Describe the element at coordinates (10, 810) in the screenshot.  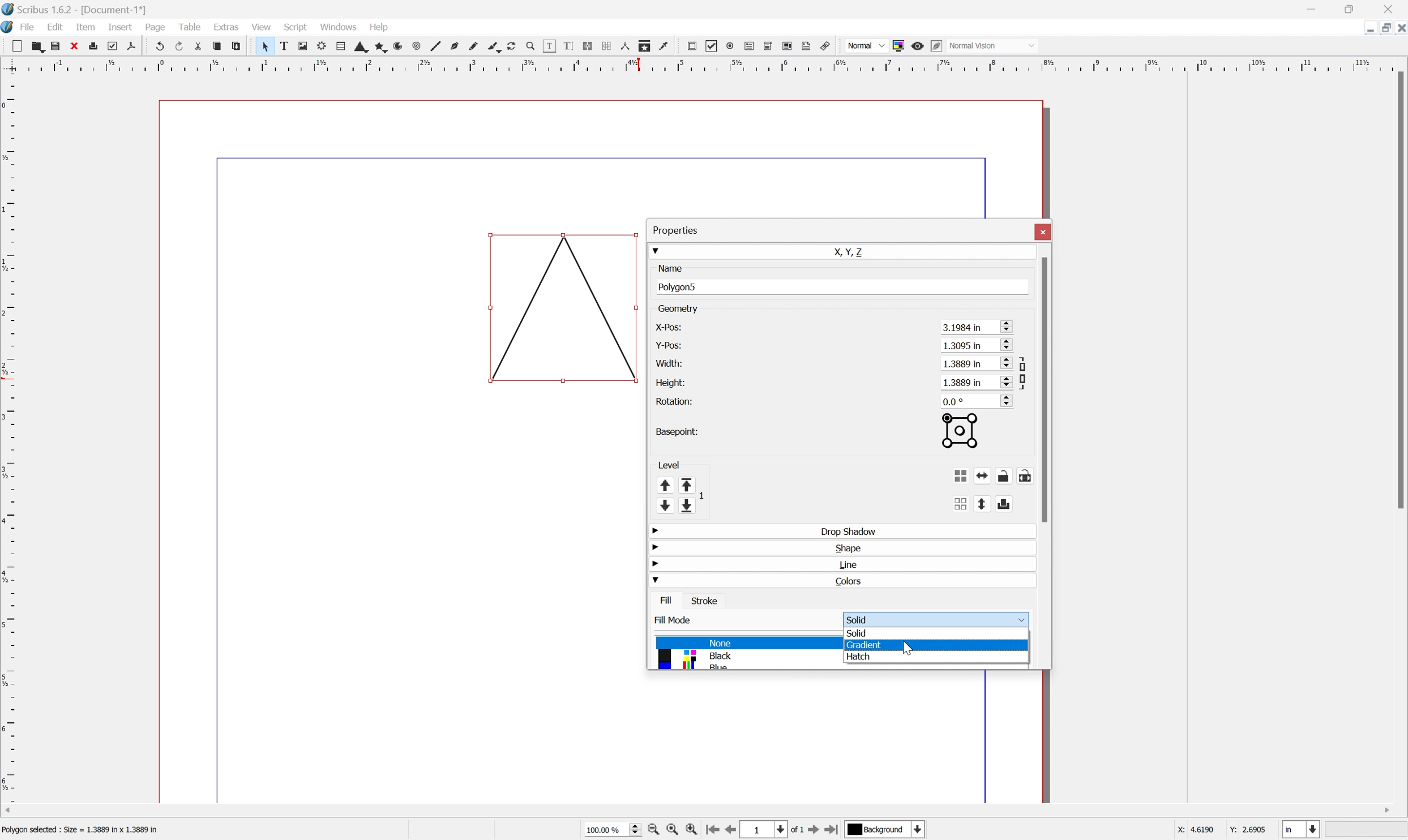
I see `Scroll Left` at that location.